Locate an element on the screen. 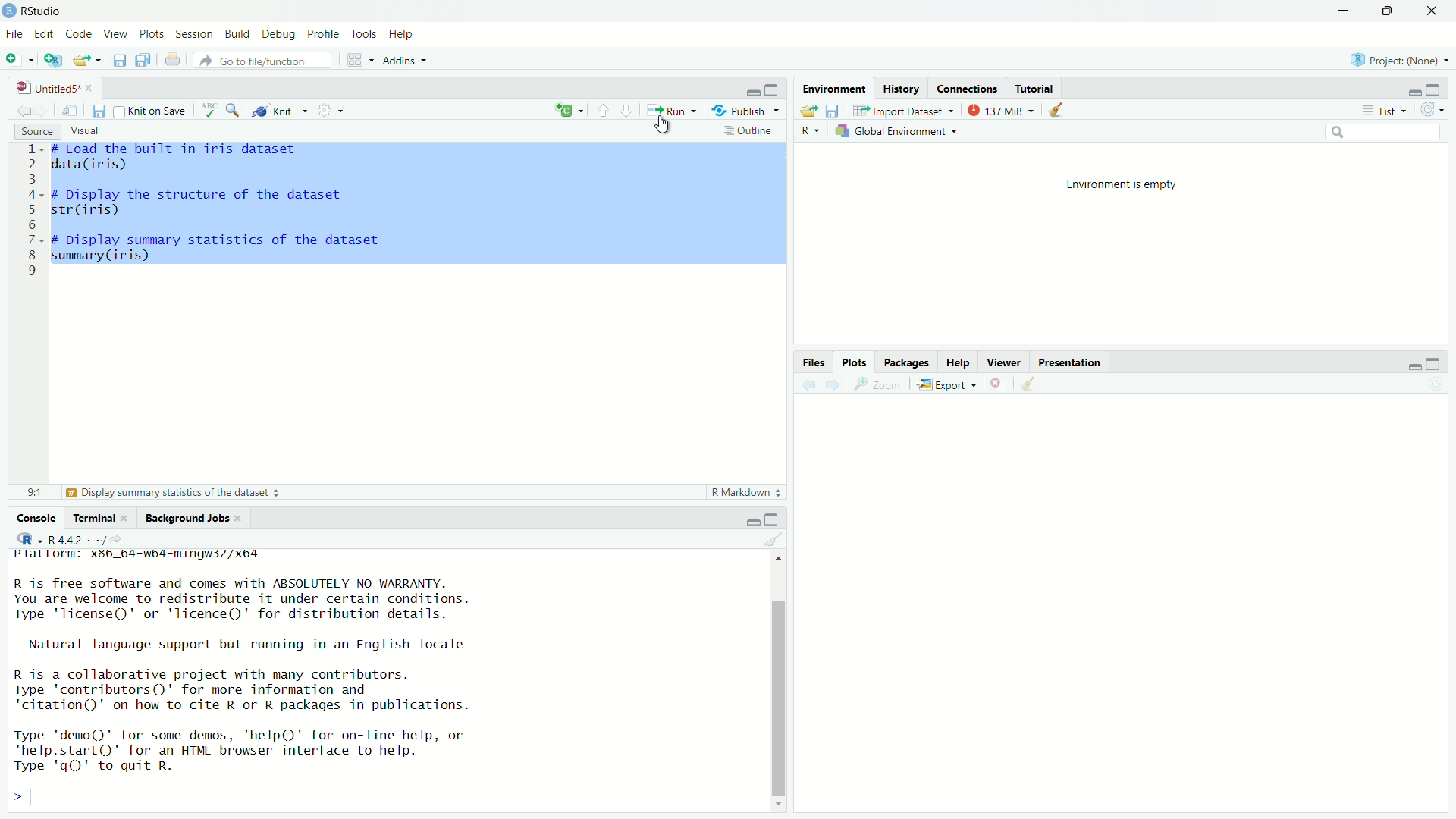 Image resolution: width=1456 pixels, height=819 pixels. Environment is empty is located at coordinates (1122, 186).